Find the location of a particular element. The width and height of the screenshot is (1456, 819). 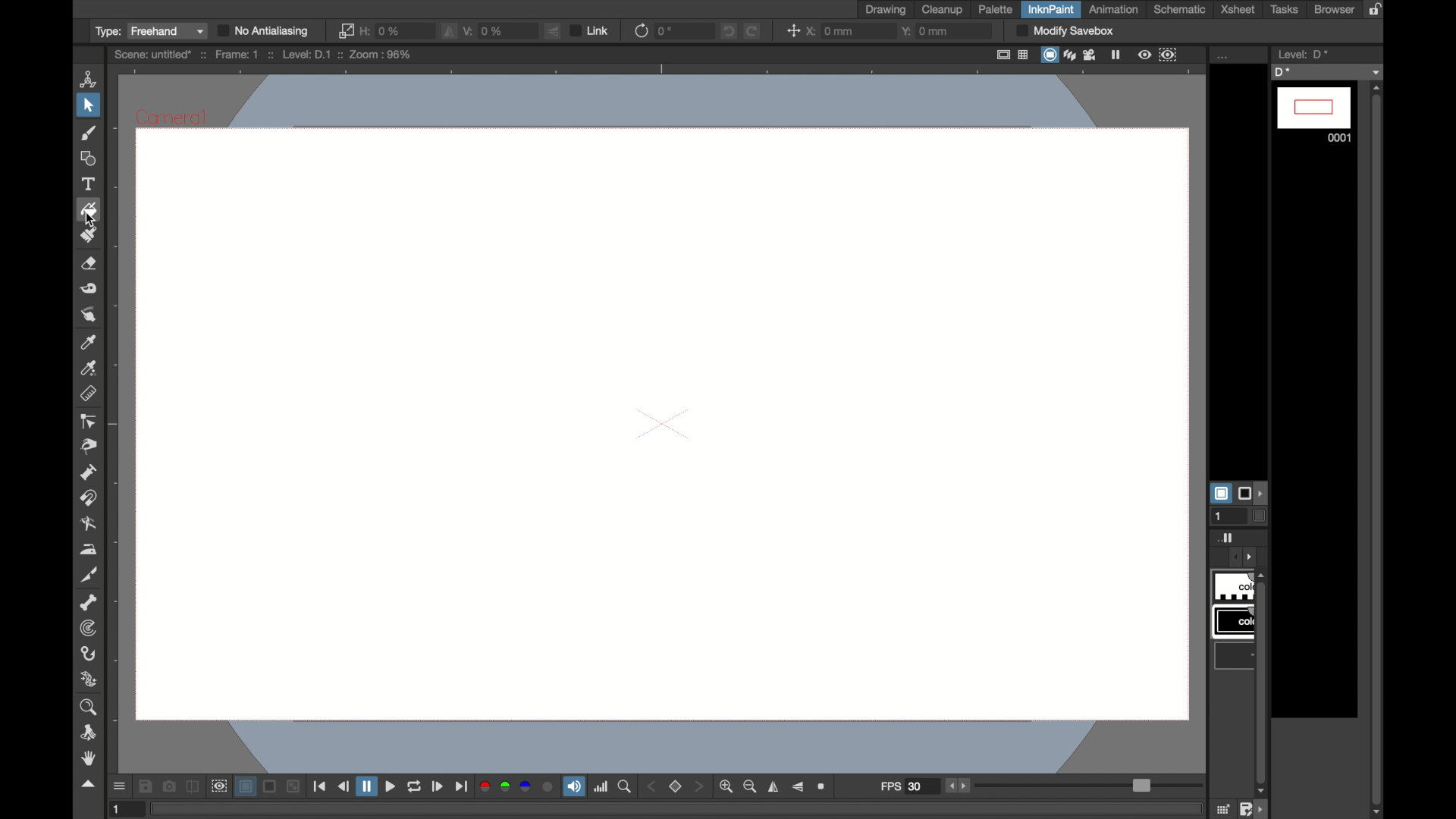

next frame is located at coordinates (438, 786).